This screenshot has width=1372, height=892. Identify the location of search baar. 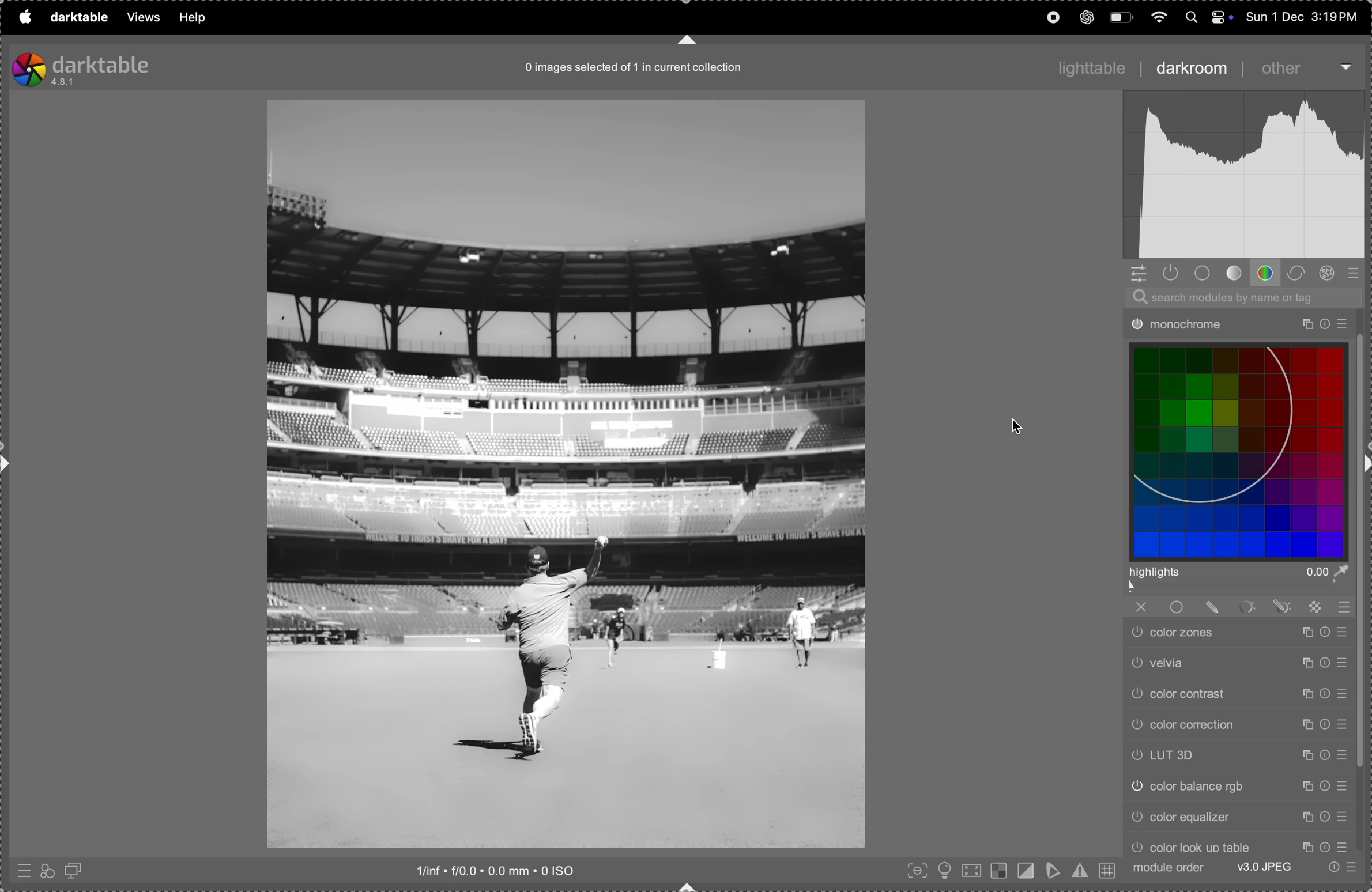
(1240, 297).